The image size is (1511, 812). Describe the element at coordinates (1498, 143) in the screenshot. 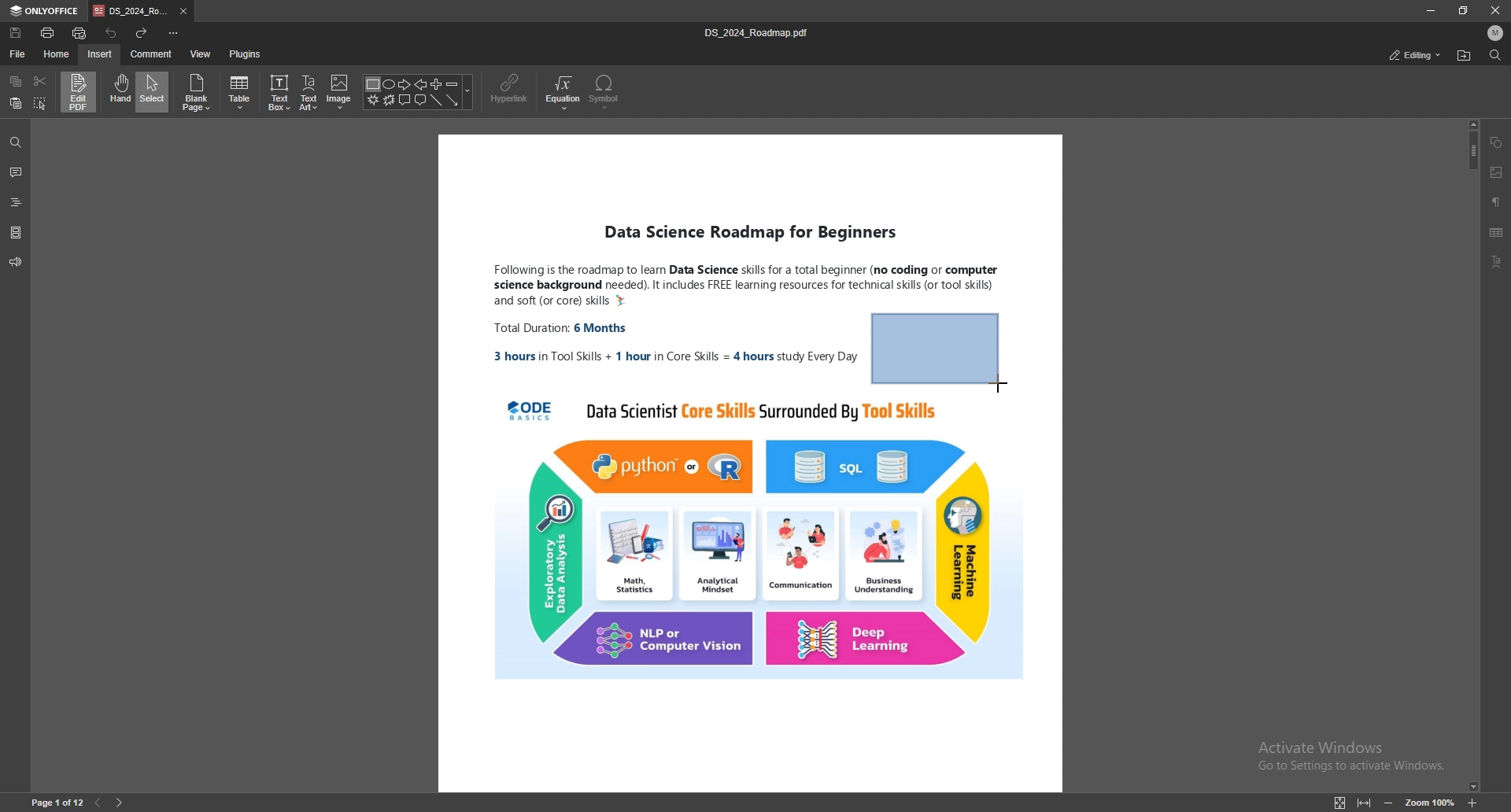

I see `shape` at that location.